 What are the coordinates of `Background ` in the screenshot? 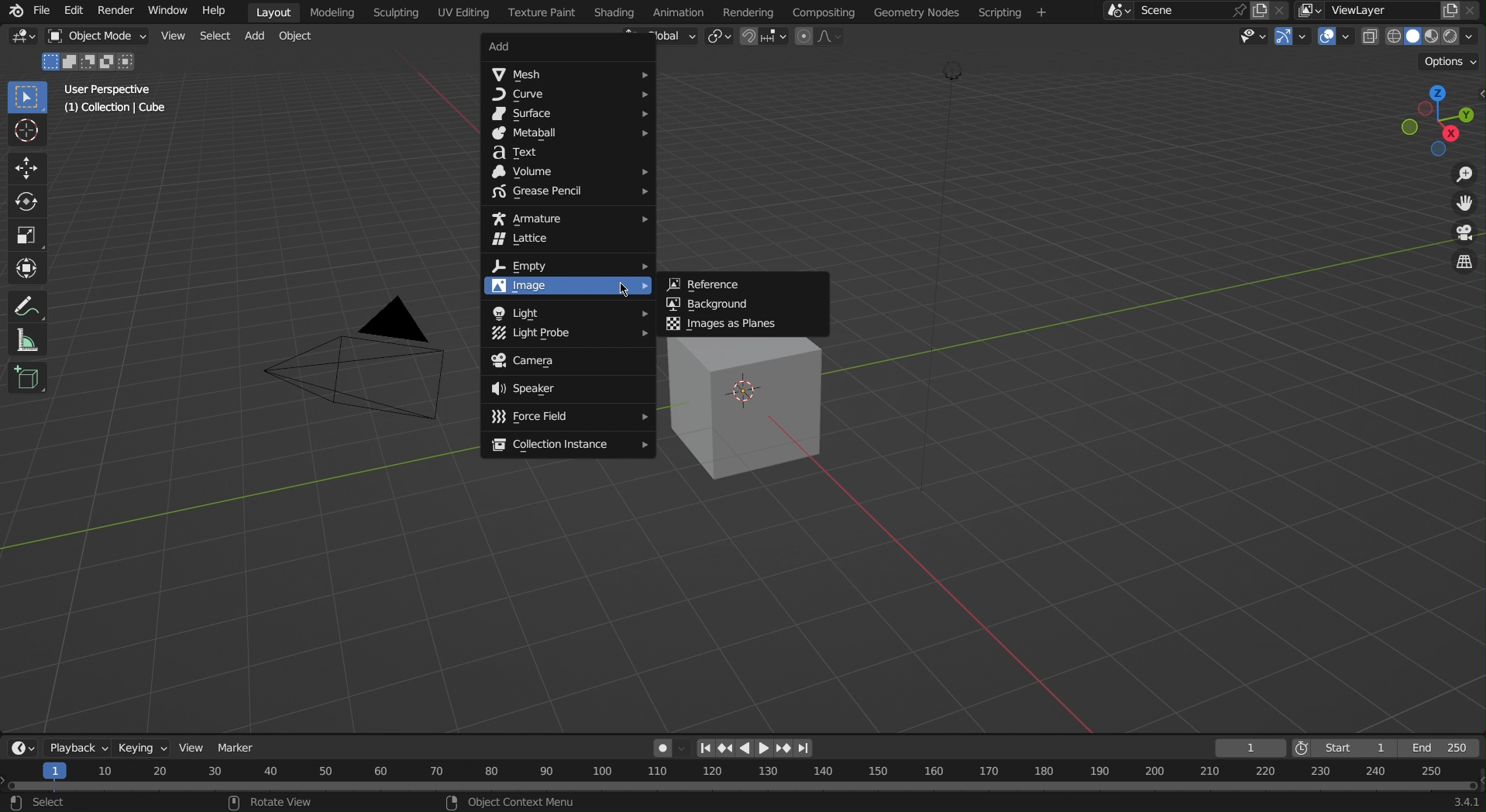 It's located at (748, 303).